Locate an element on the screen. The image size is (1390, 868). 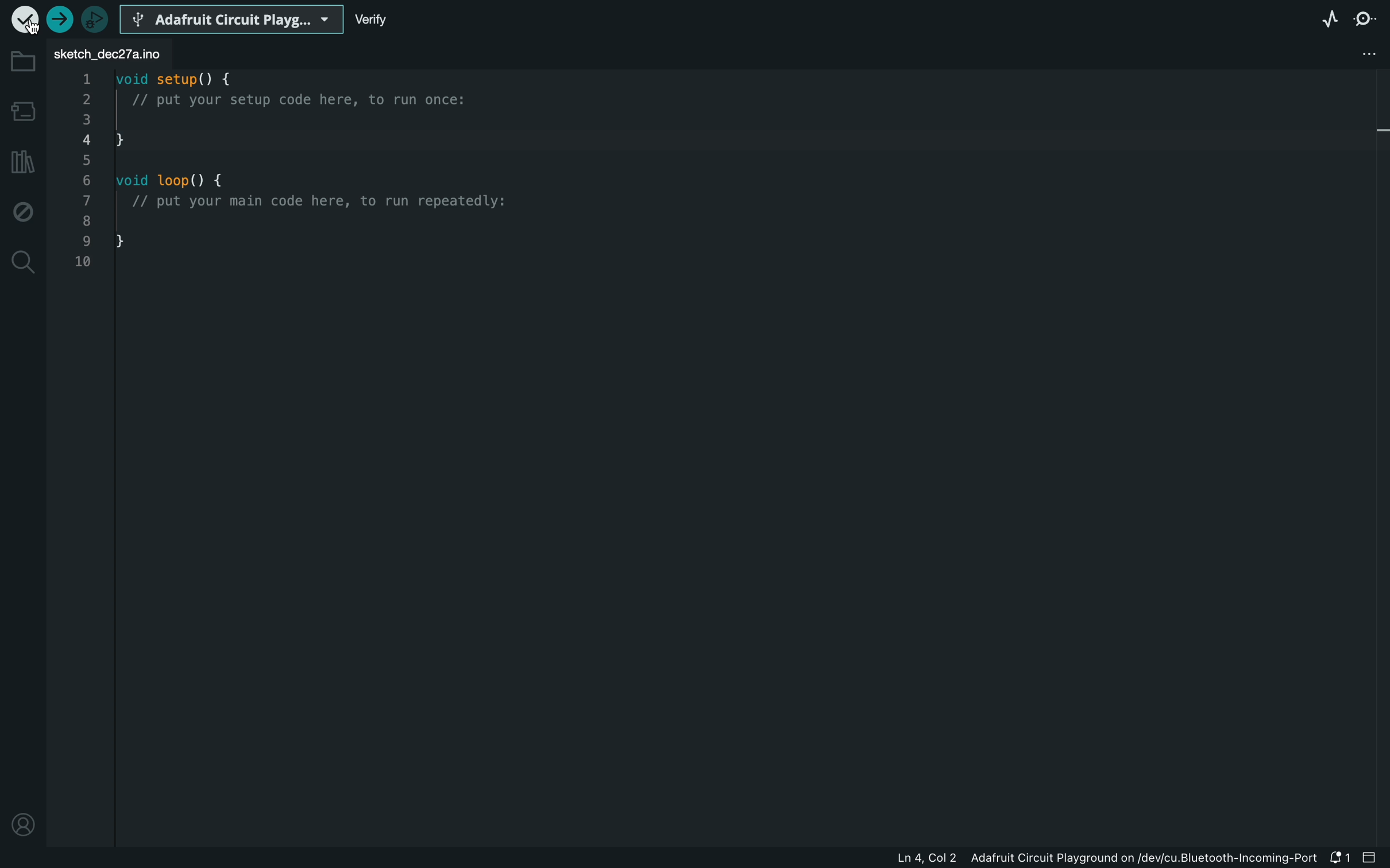
search is located at coordinates (22, 262).